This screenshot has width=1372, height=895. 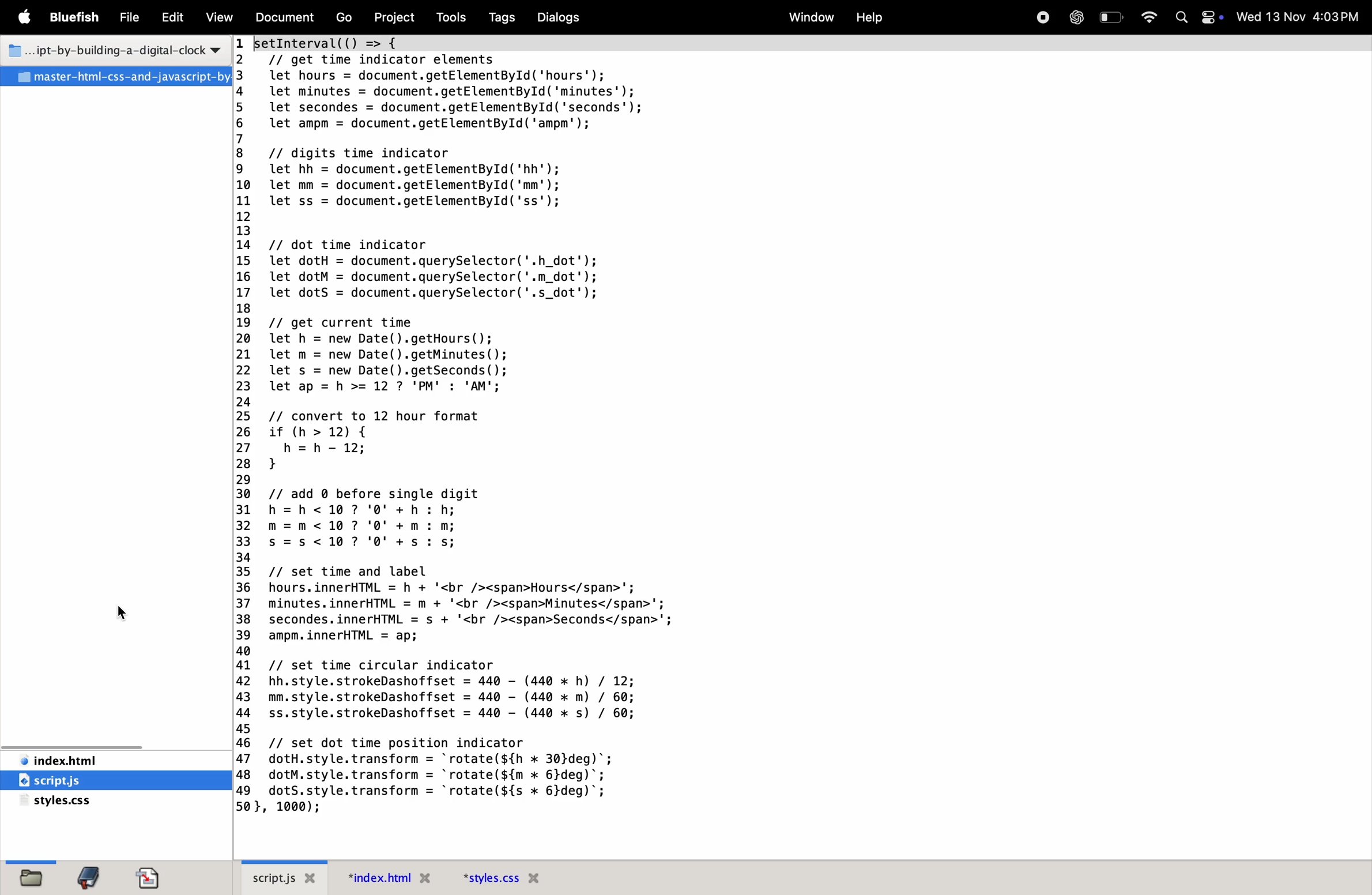 What do you see at coordinates (96, 802) in the screenshot?
I see `Style.css` at bounding box center [96, 802].